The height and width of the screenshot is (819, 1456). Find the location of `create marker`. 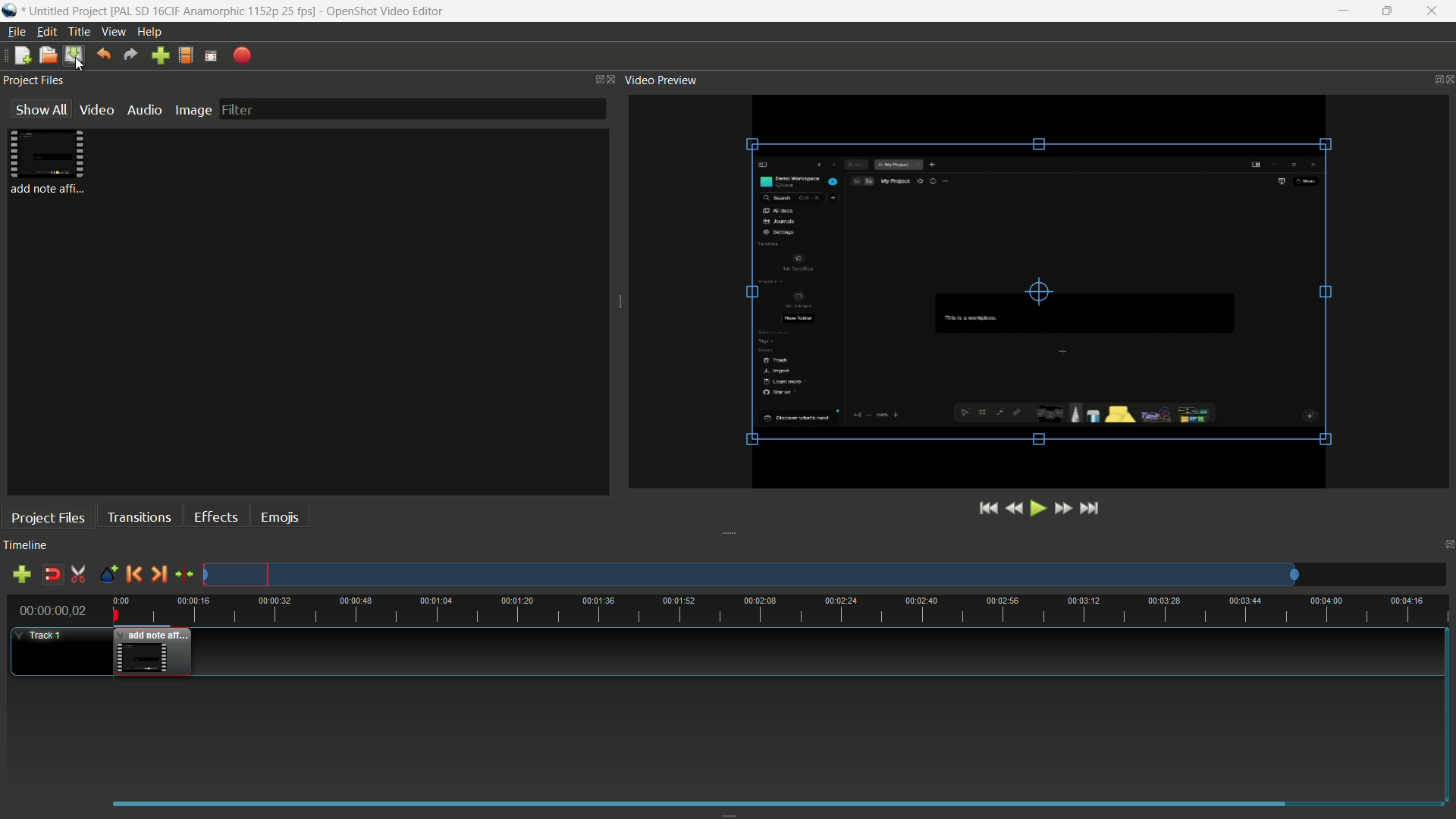

create marker is located at coordinates (108, 575).